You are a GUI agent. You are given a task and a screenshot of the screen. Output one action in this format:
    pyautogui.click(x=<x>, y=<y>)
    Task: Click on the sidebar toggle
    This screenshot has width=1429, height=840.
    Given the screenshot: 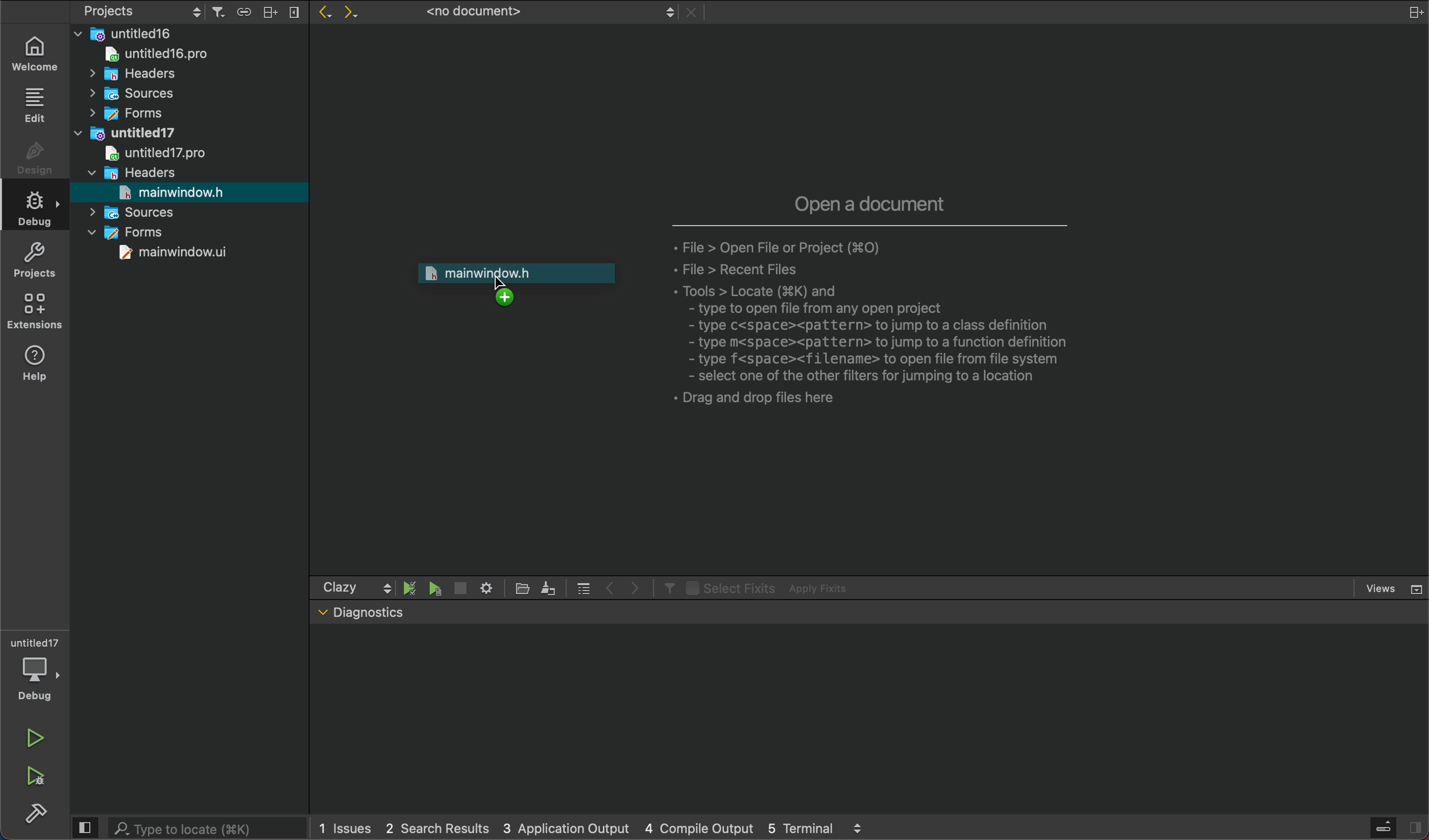 What is the action you would take?
    pyautogui.click(x=1398, y=828)
    